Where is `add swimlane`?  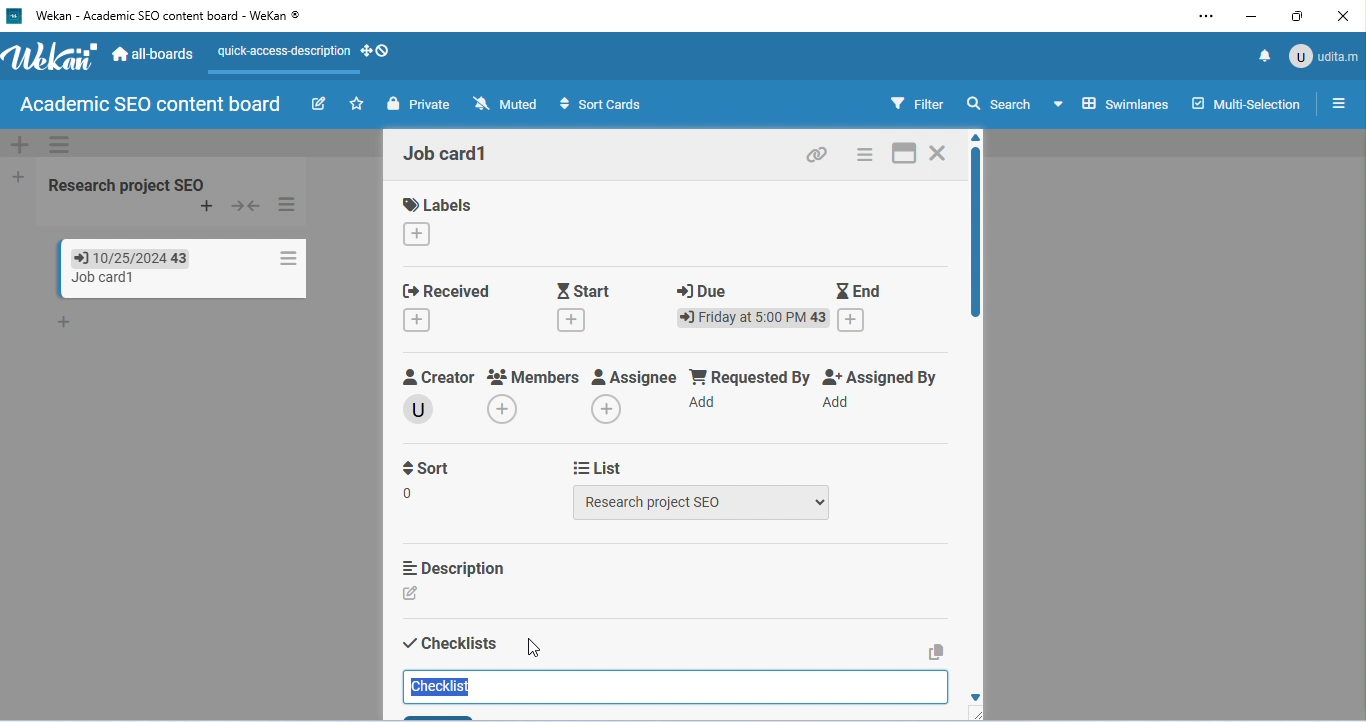
add swimlane is located at coordinates (17, 145).